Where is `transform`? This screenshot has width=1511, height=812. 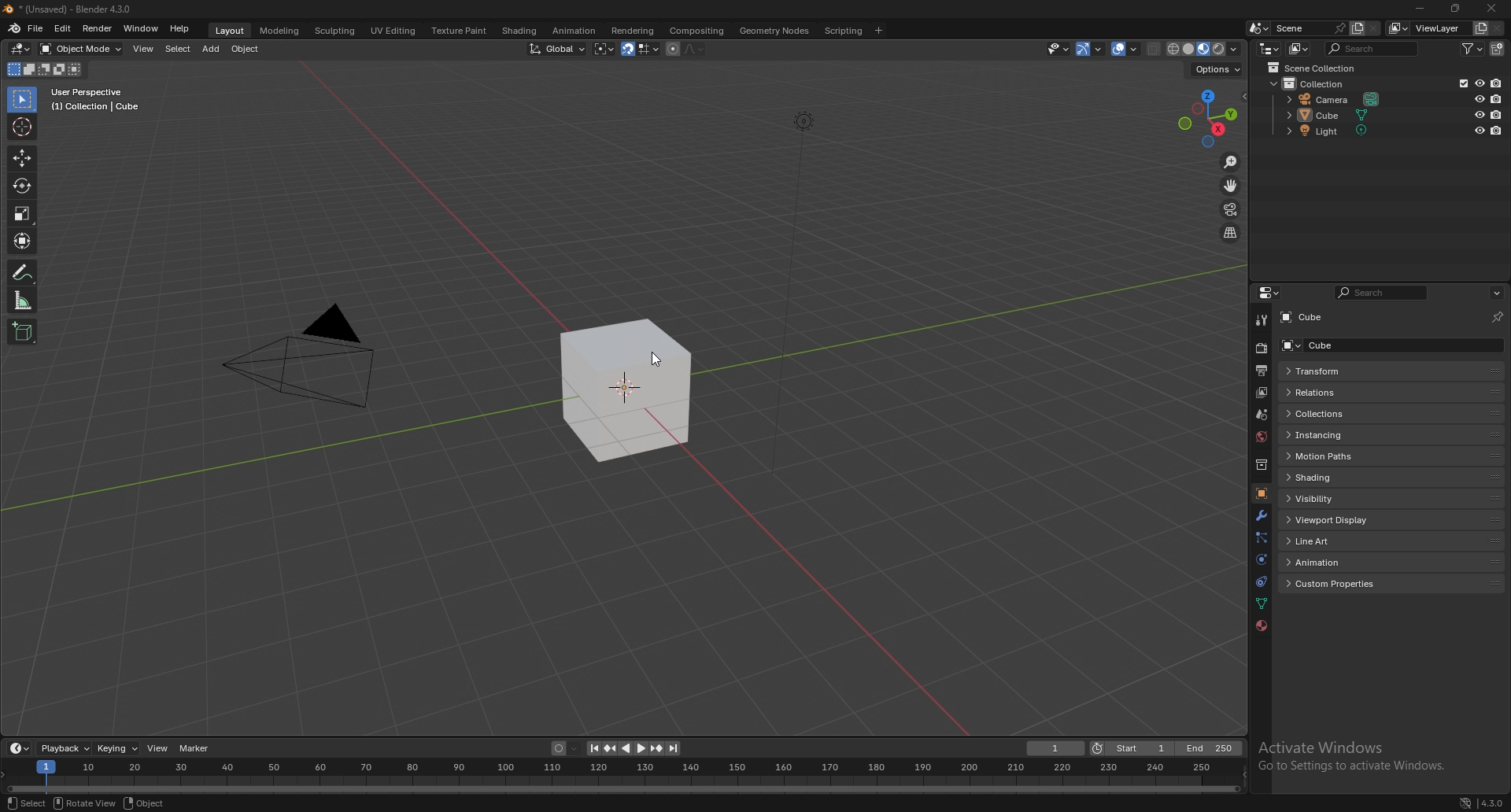 transform is located at coordinates (1389, 369).